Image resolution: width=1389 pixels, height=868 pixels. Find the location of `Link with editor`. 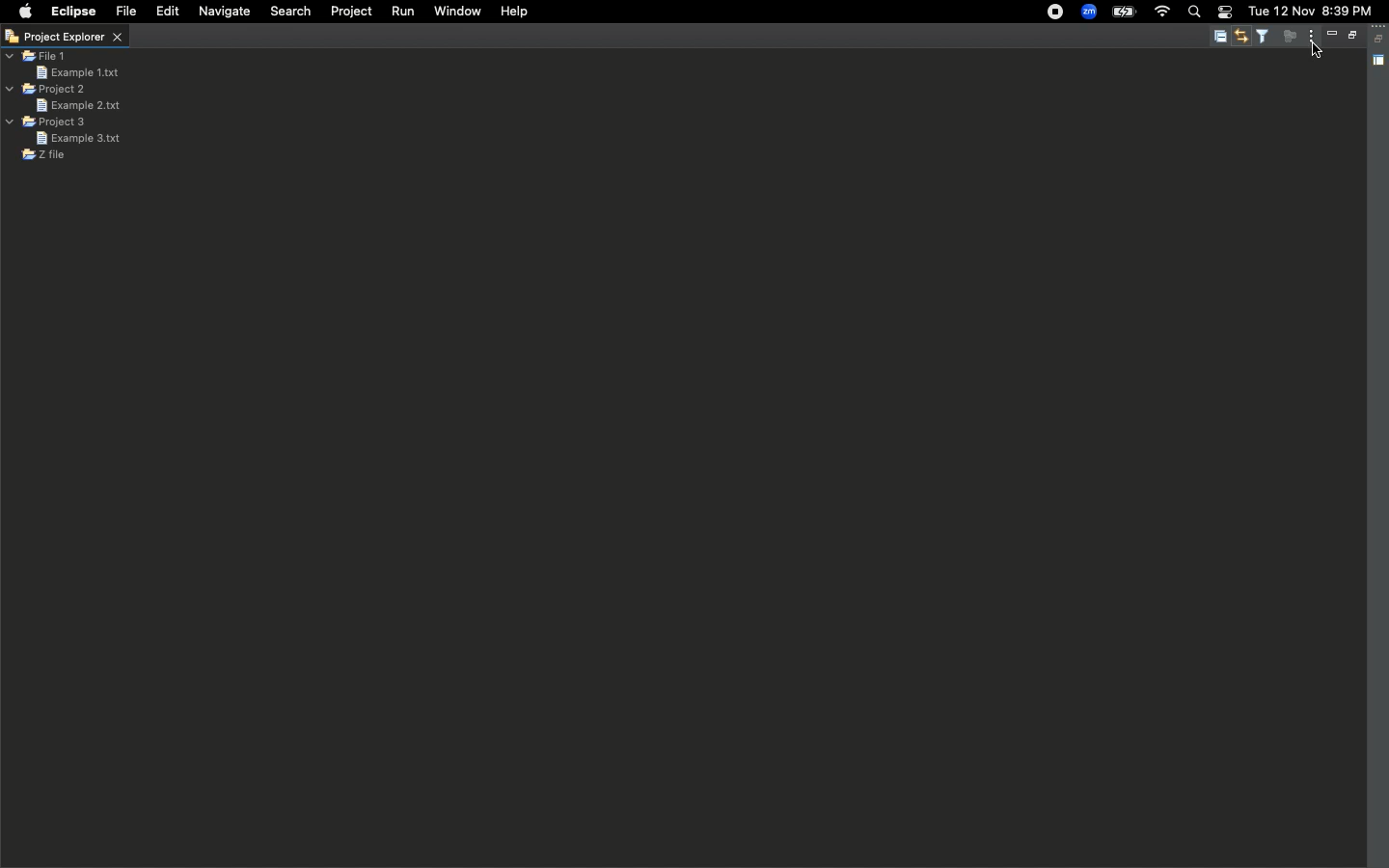

Link with editor is located at coordinates (1243, 37).